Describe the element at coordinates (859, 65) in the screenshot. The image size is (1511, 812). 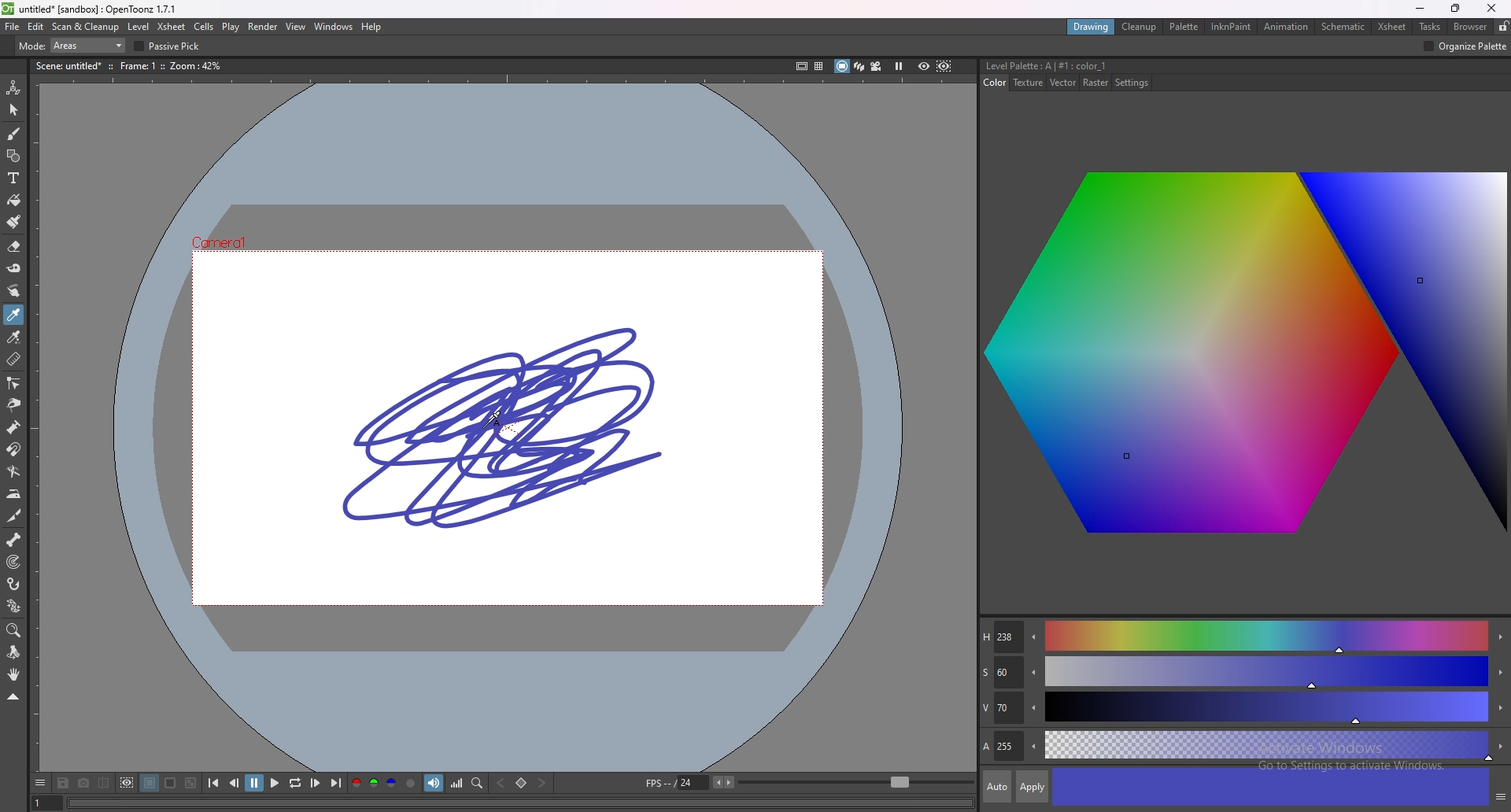
I see `3d view` at that location.